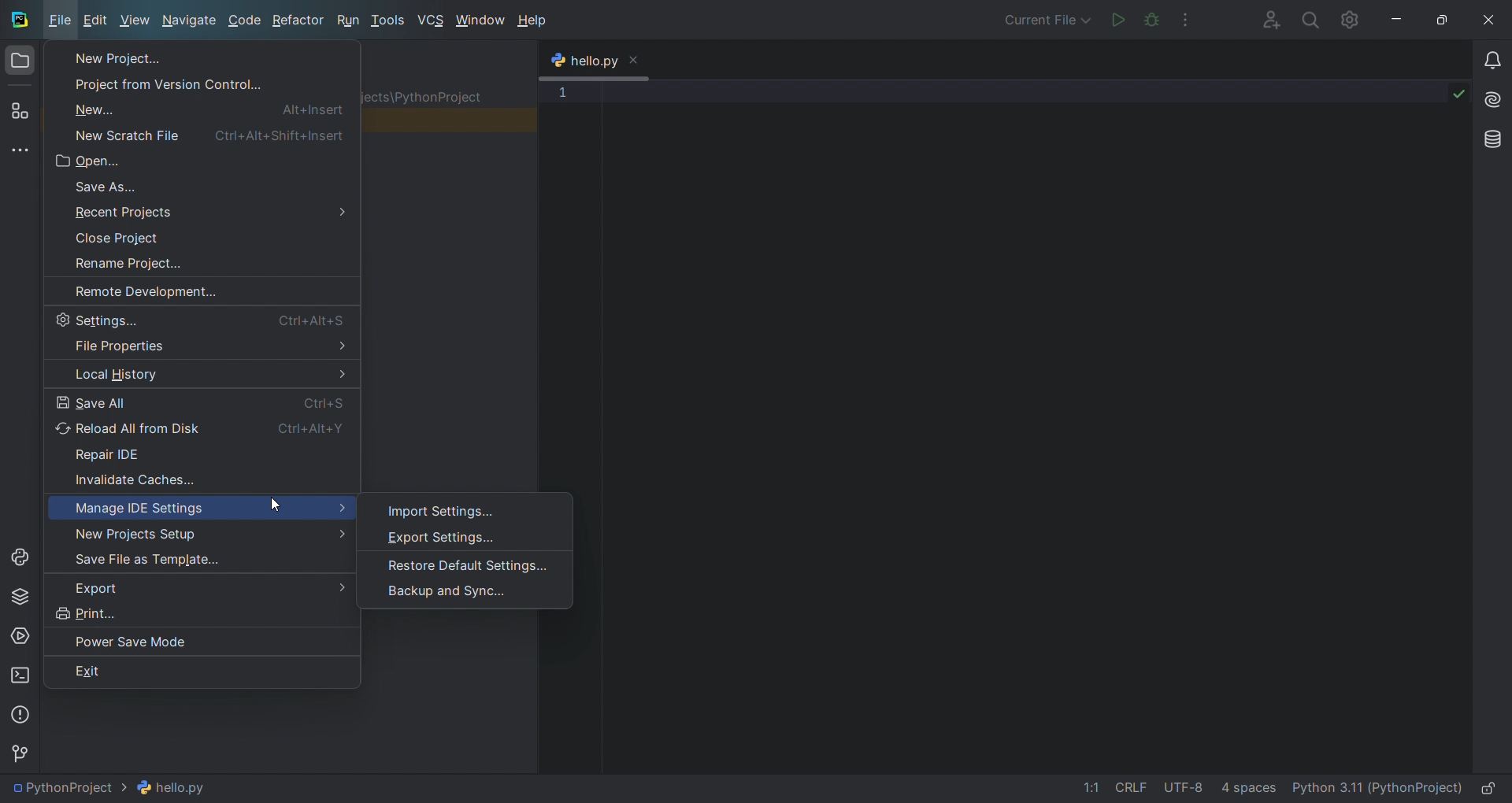 The height and width of the screenshot is (803, 1512). What do you see at coordinates (203, 317) in the screenshot?
I see `settings` at bounding box center [203, 317].